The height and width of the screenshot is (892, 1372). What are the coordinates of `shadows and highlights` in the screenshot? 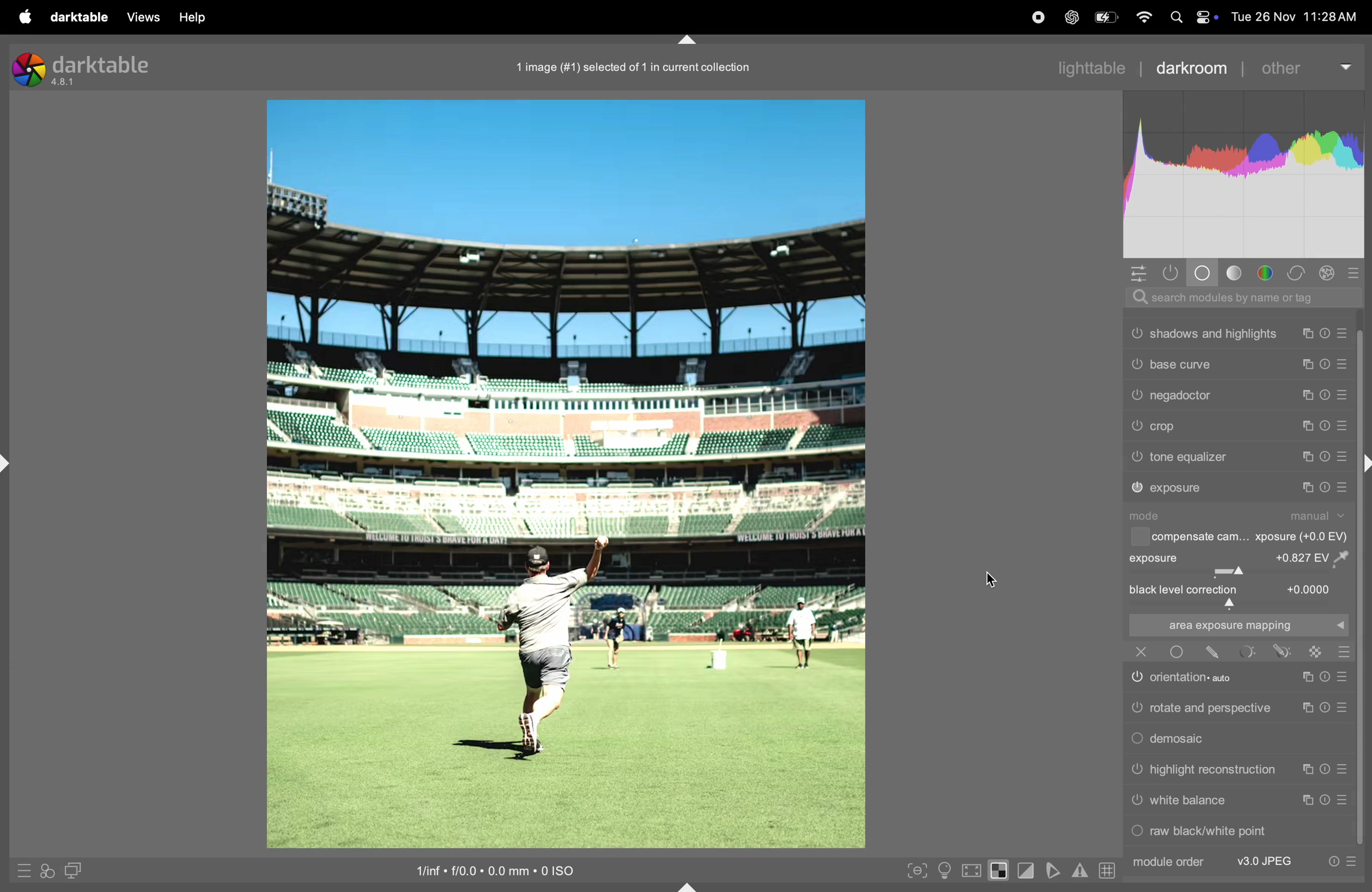 It's located at (1215, 334).